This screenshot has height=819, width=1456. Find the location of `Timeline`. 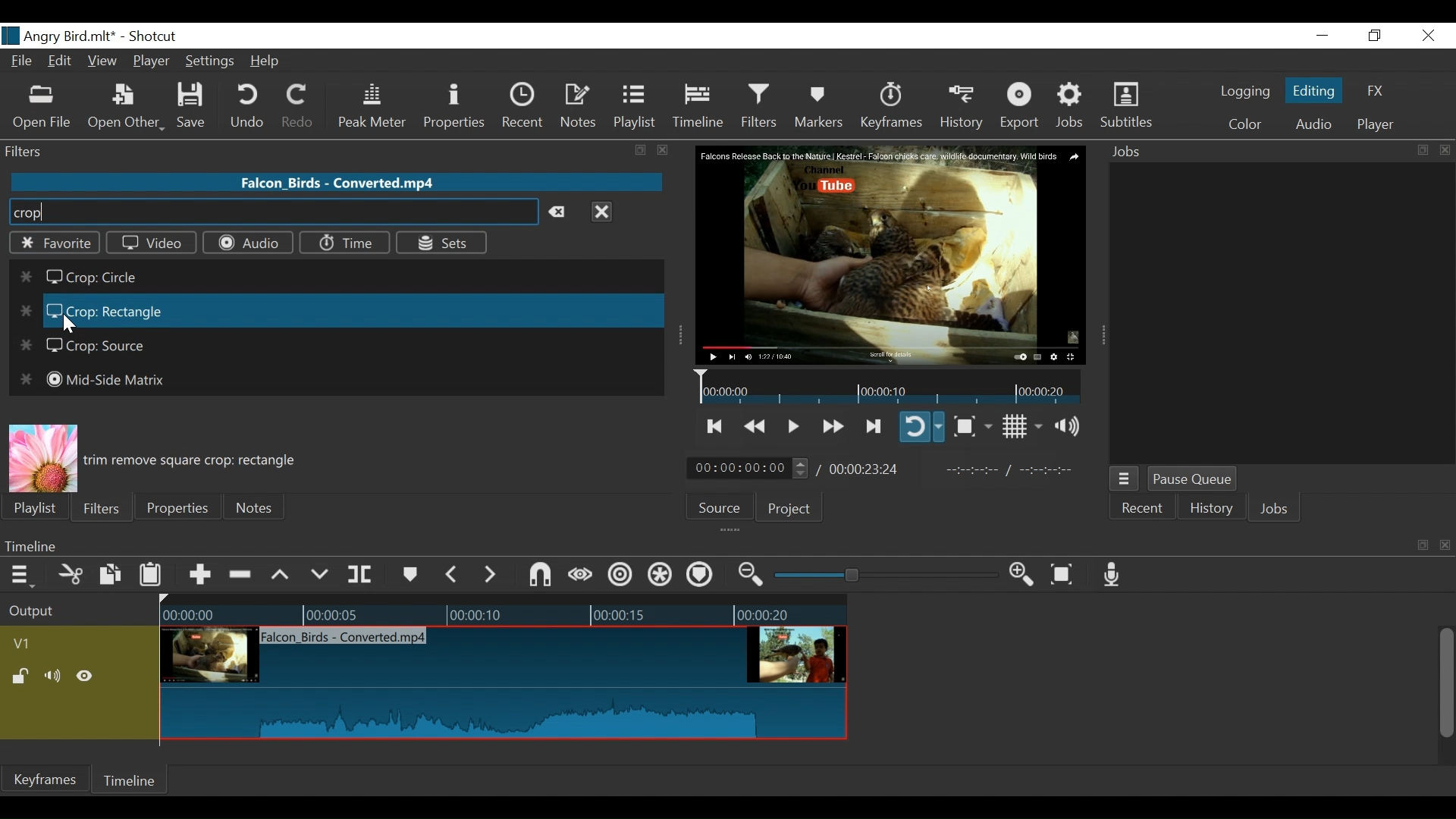

Timeline is located at coordinates (131, 780).